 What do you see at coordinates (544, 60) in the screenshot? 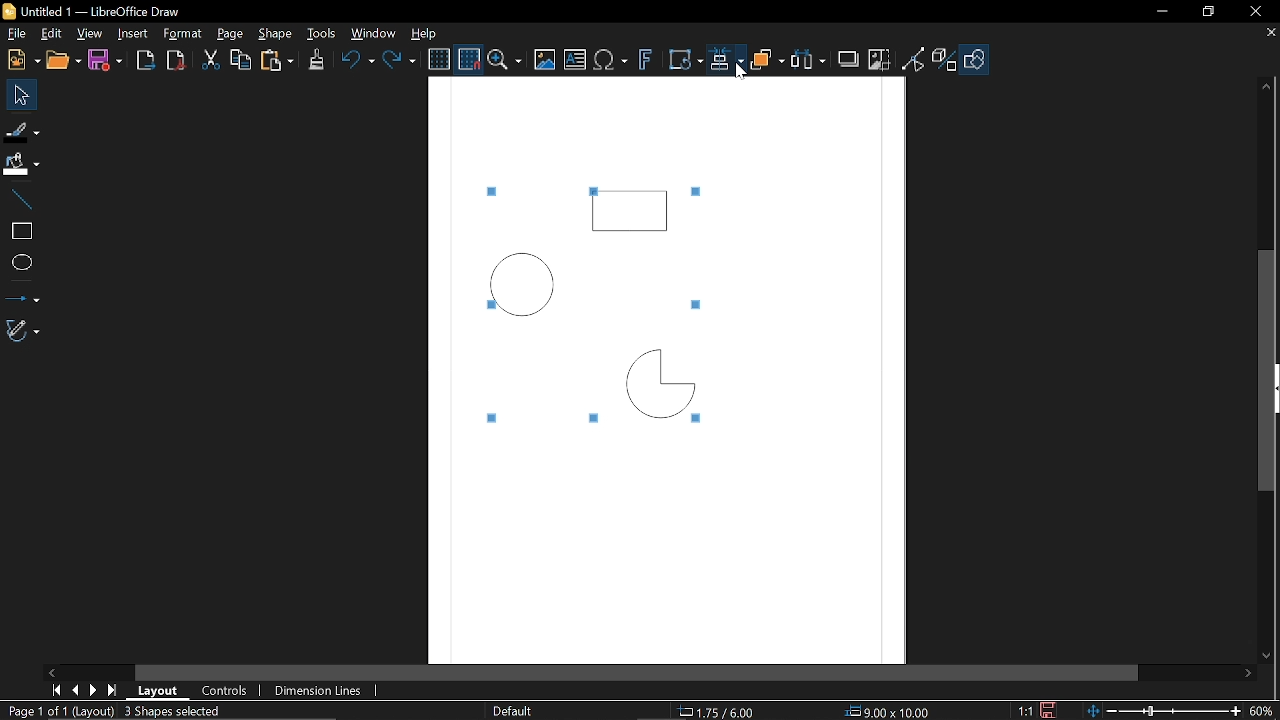
I see `Insert image` at bounding box center [544, 60].